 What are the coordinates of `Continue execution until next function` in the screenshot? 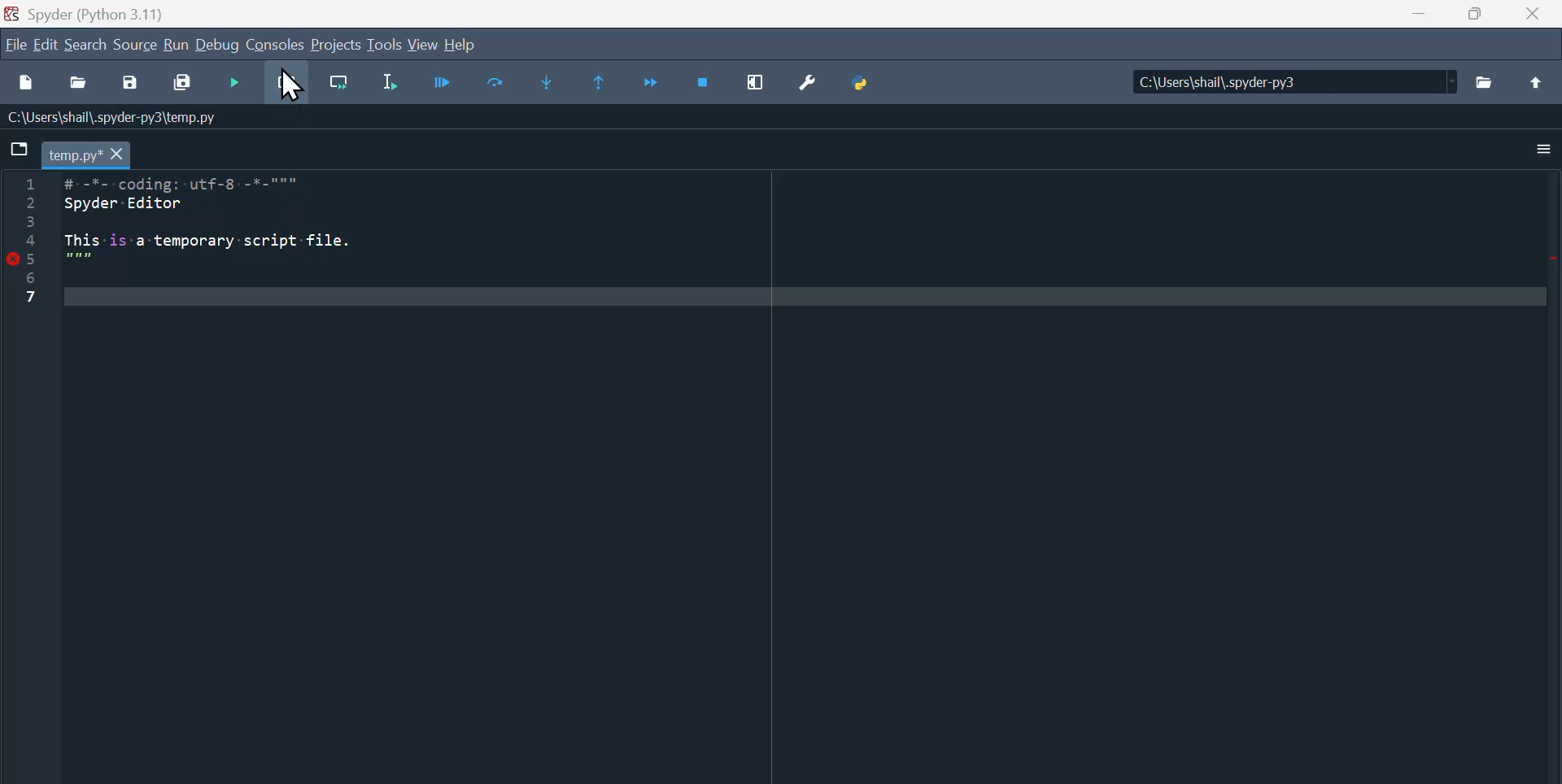 It's located at (648, 83).